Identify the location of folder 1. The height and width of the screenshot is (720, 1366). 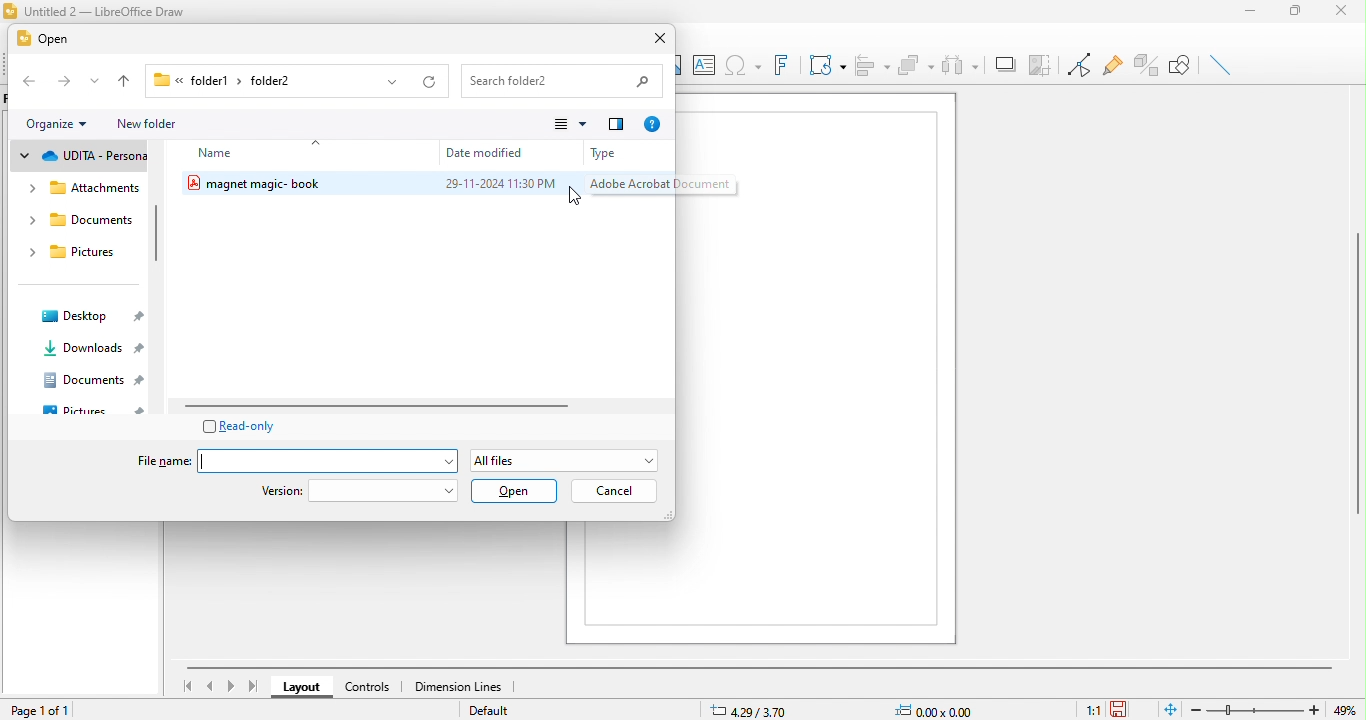
(198, 81).